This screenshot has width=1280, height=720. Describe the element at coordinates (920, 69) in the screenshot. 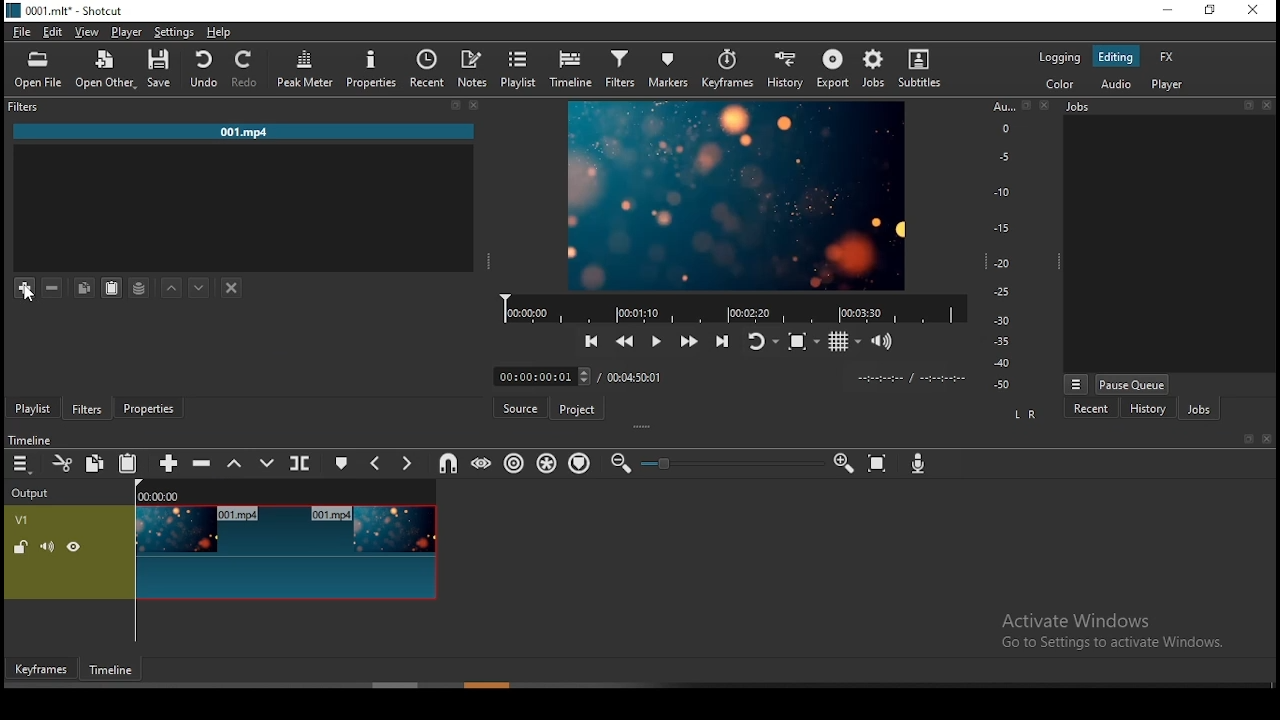

I see `subtitles` at that location.